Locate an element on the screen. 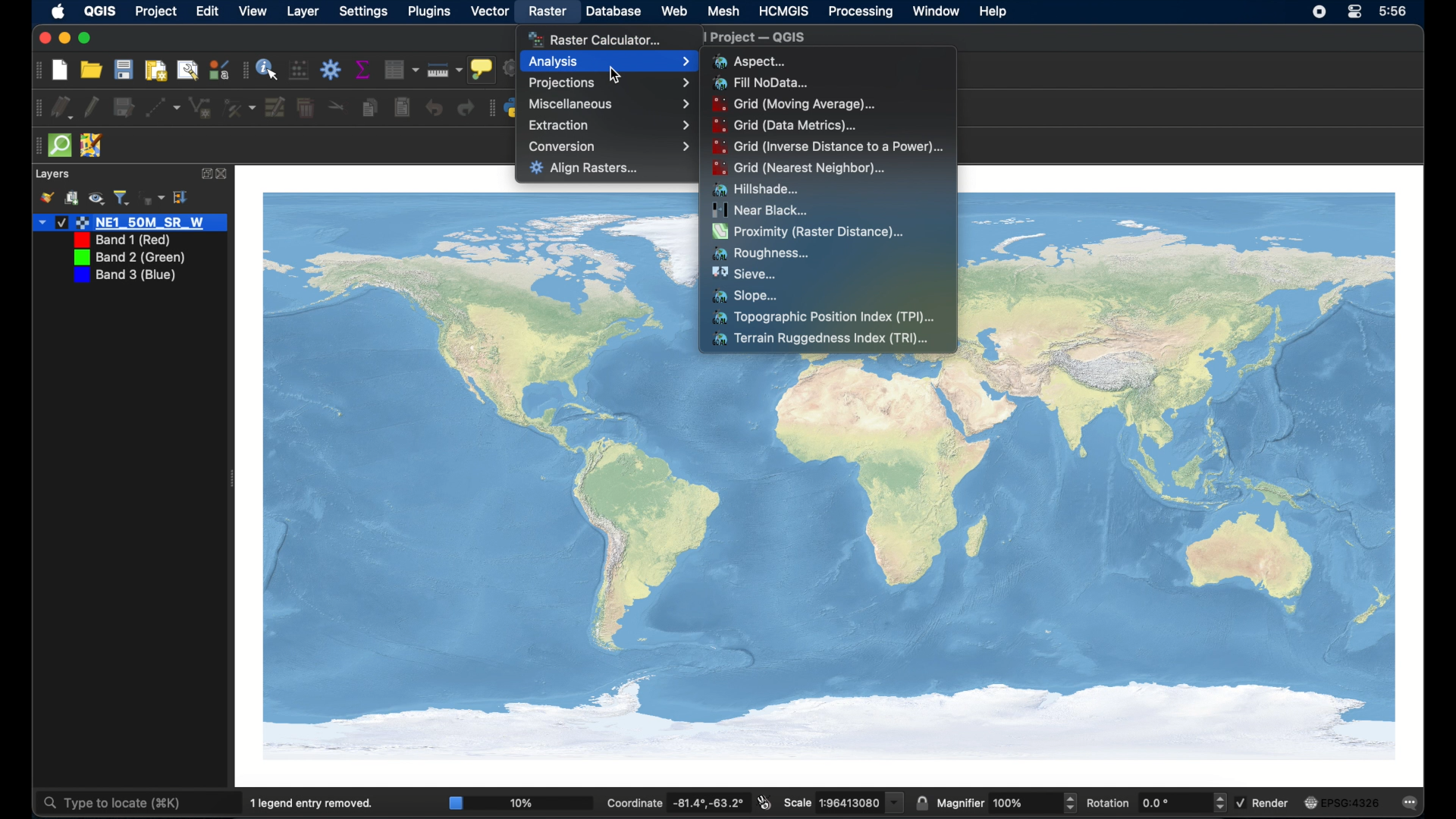 The width and height of the screenshot is (1456, 819). maximize is located at coordinates (86, 39).